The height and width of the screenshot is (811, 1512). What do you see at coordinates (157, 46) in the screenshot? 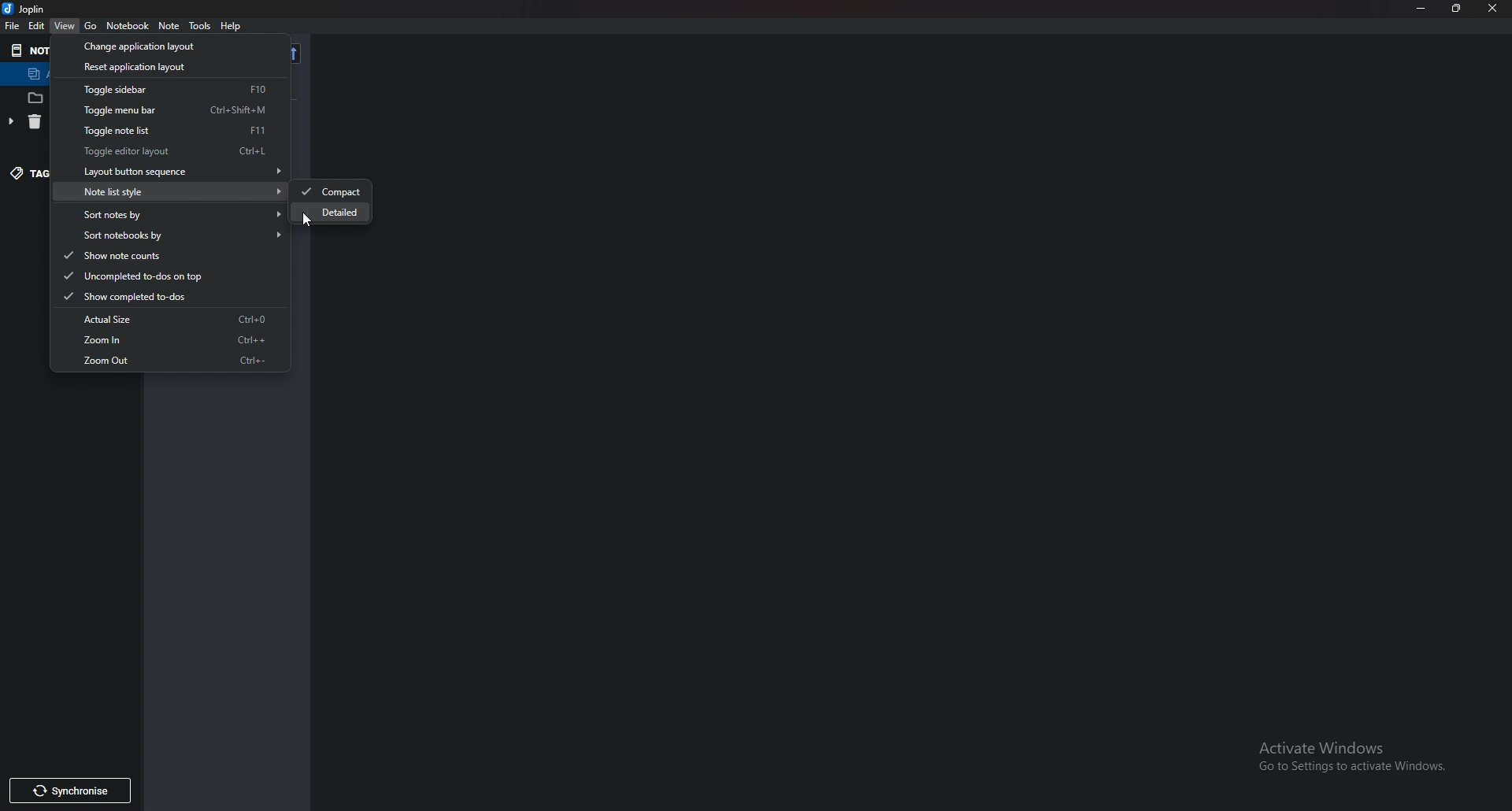
I see `Change application layout` at bounding box center [157, 46].